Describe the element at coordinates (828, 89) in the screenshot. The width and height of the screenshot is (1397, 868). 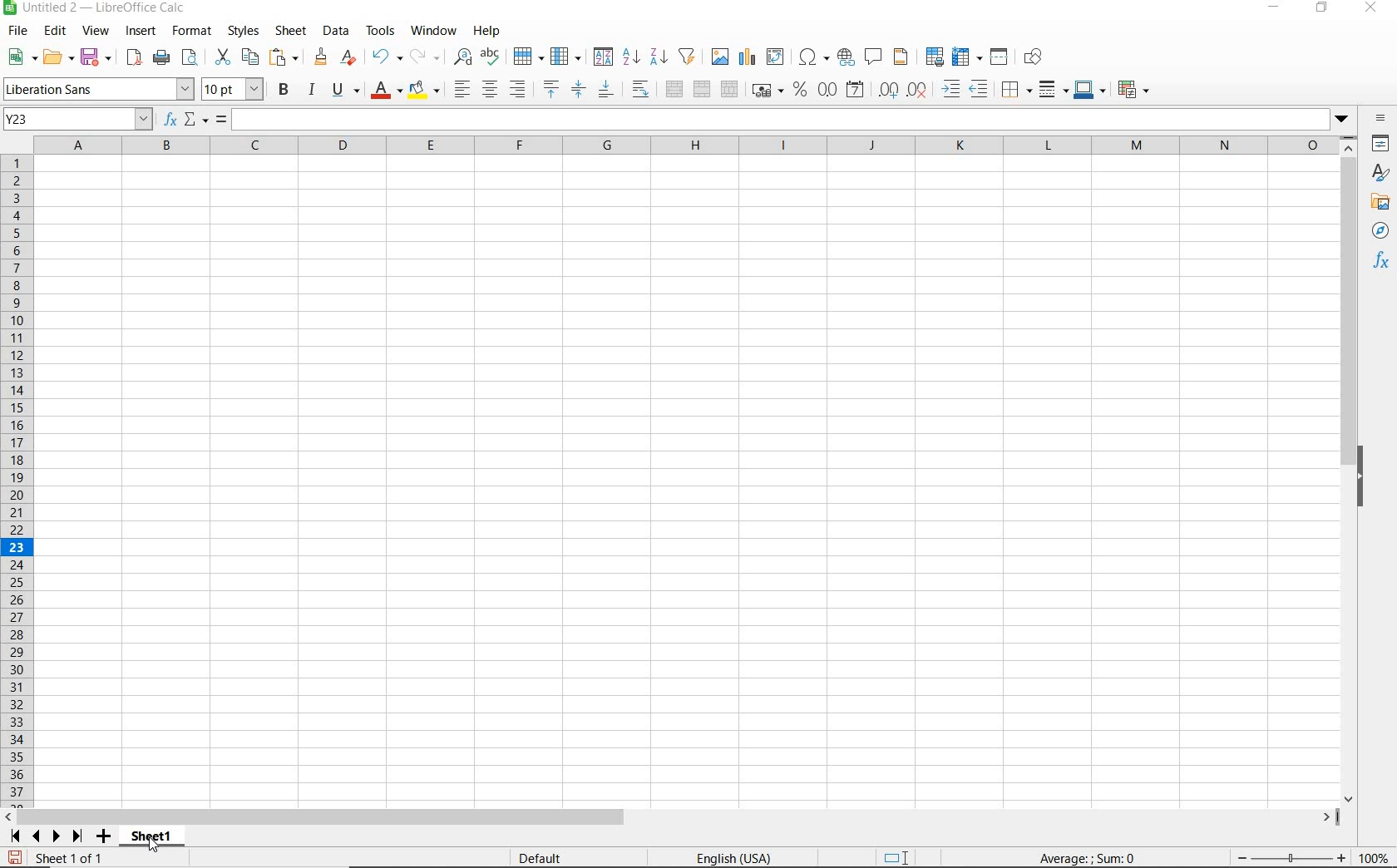
I see `FORMAT AS NUMBER` at that location.